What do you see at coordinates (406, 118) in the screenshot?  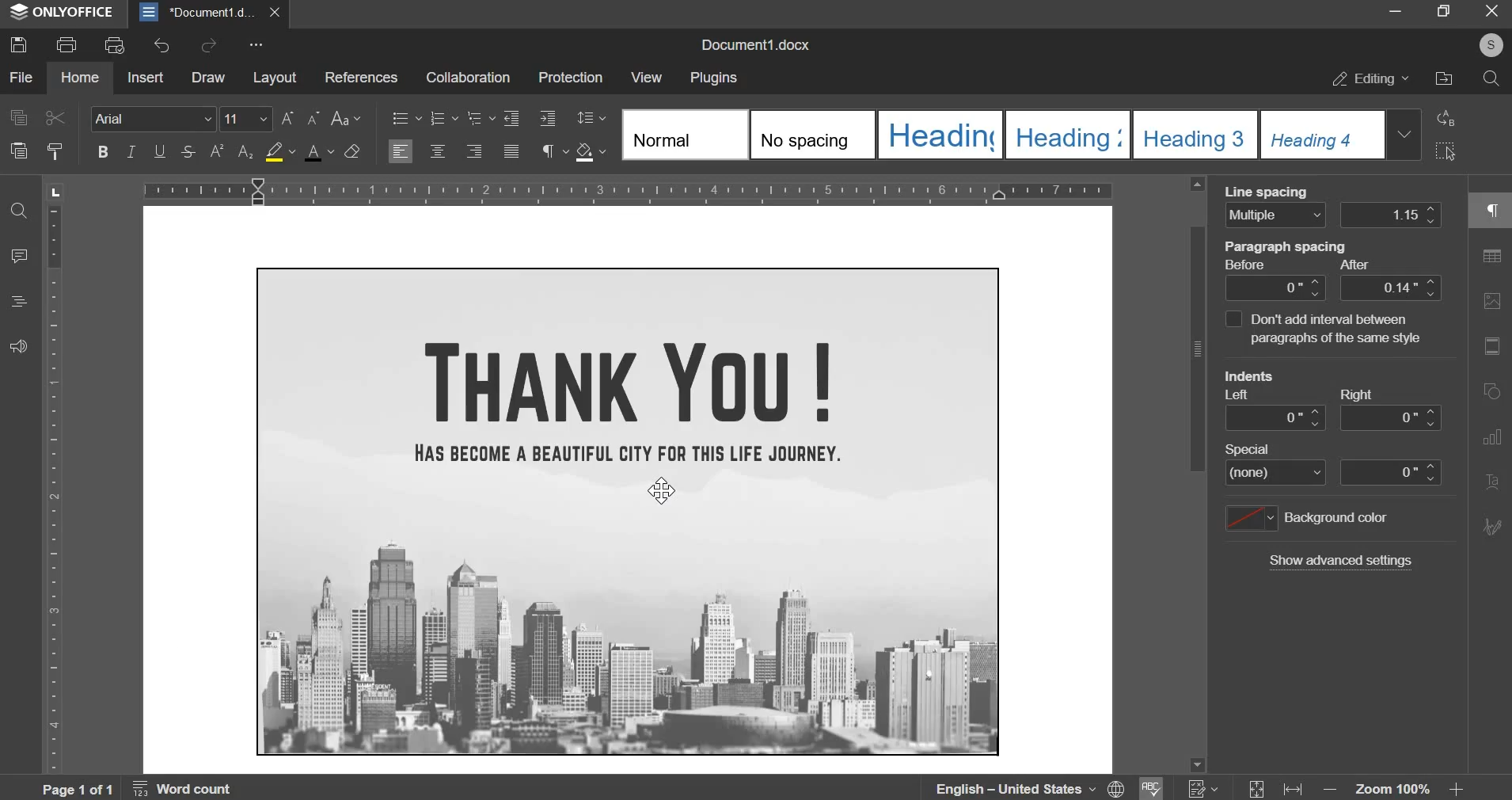 I see `bullets` at bounding box center [406, 118].